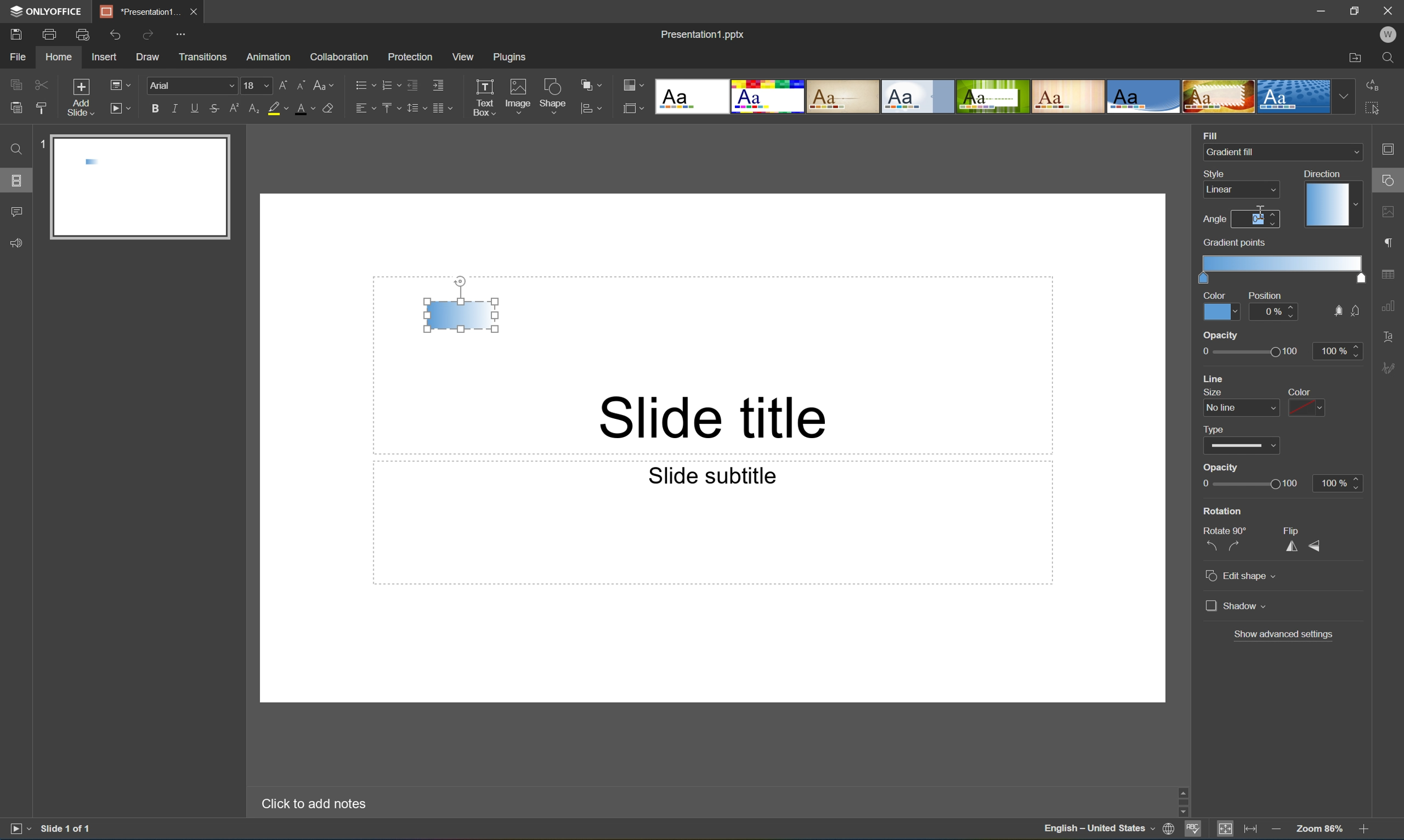 The width and height of the screenshot is (1404, 840). I want to click on Rotation, so click(1223, 511).